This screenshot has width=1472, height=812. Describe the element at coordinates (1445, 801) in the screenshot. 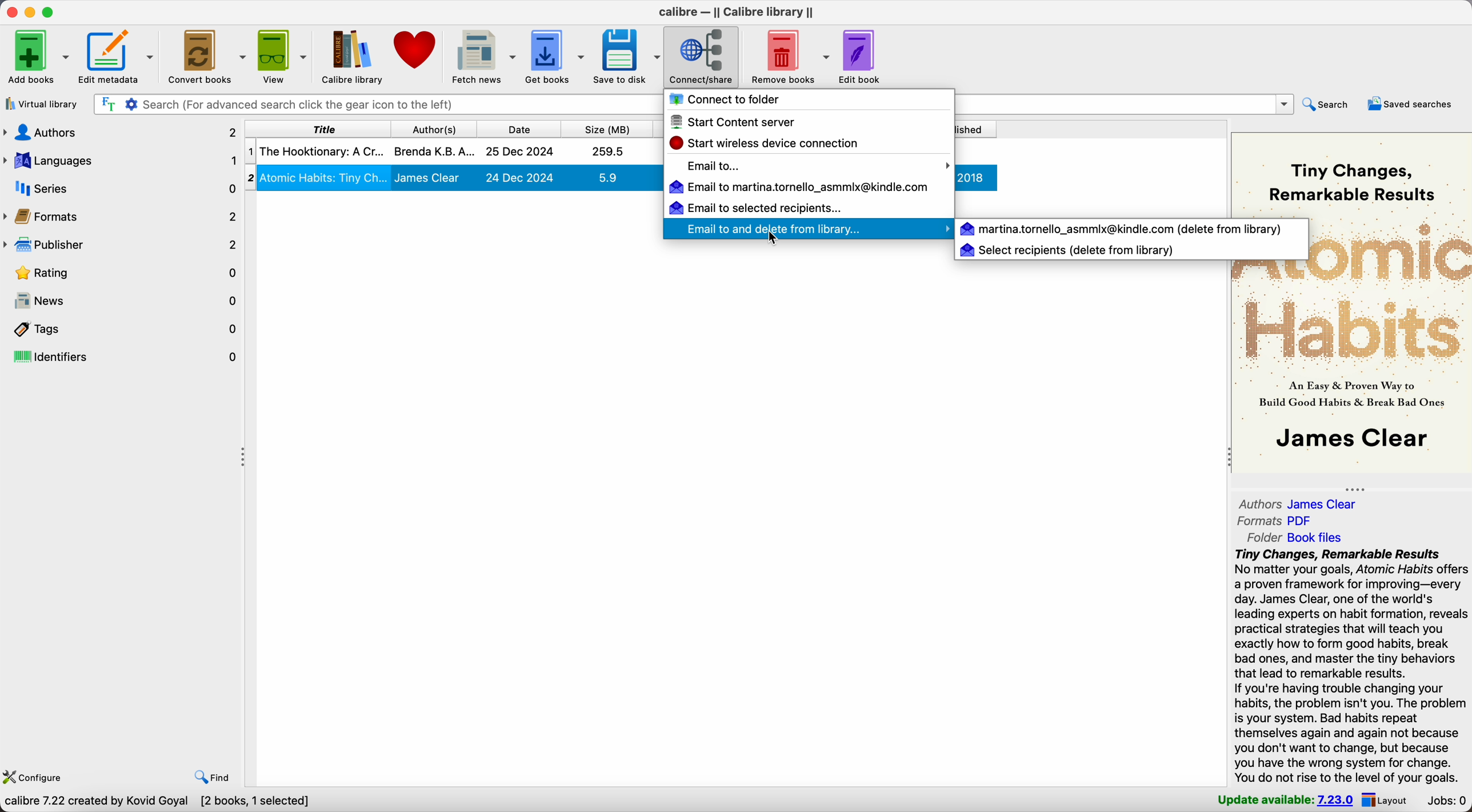

I see `Jobs: 0` at that location.